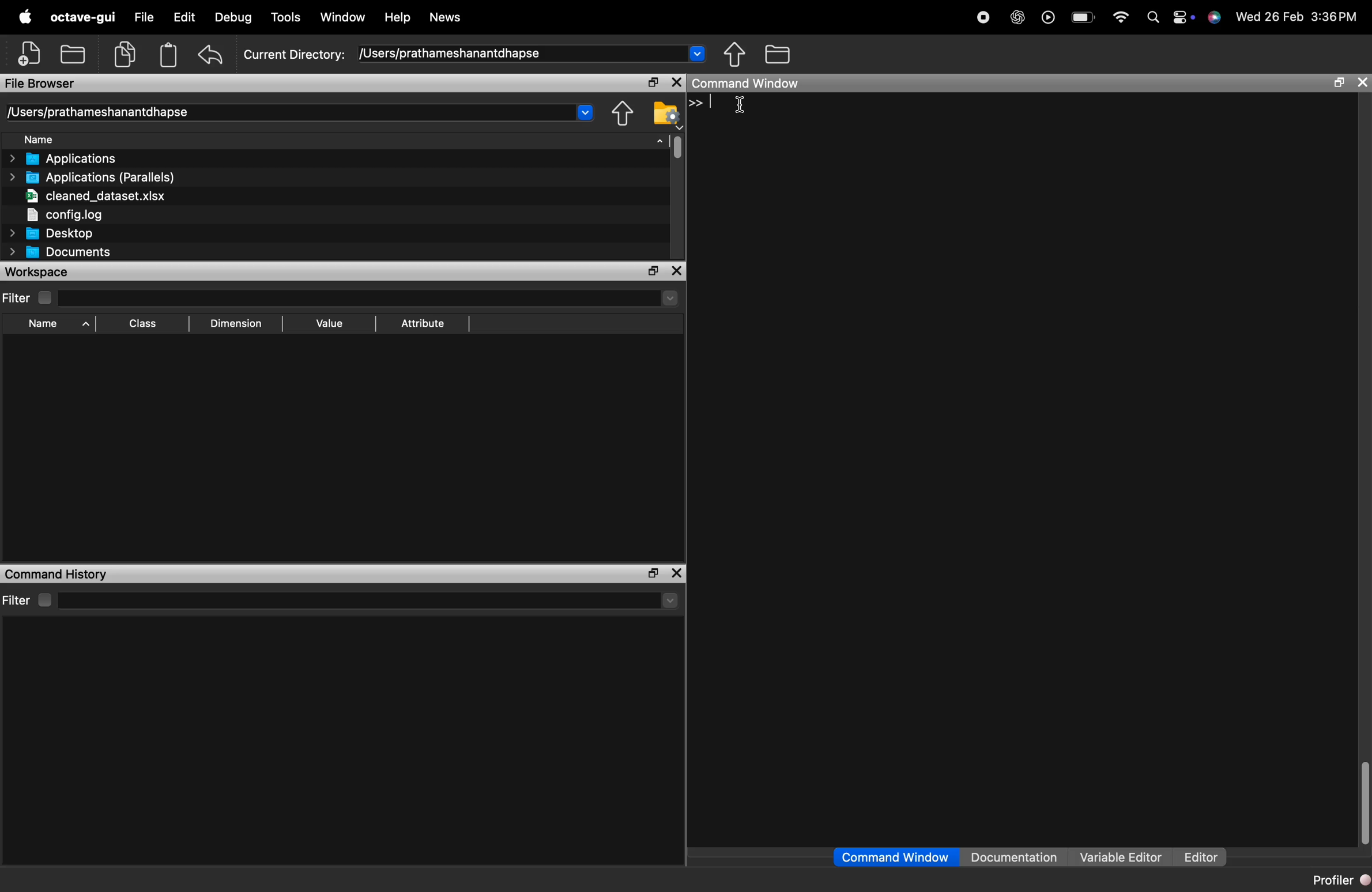 The height and width of the screenshot is (892, 1372). What do you see at coordinates (673, 149) in the screenshot?
I see `vertical scrollbar` at bounding box center [673, 149].